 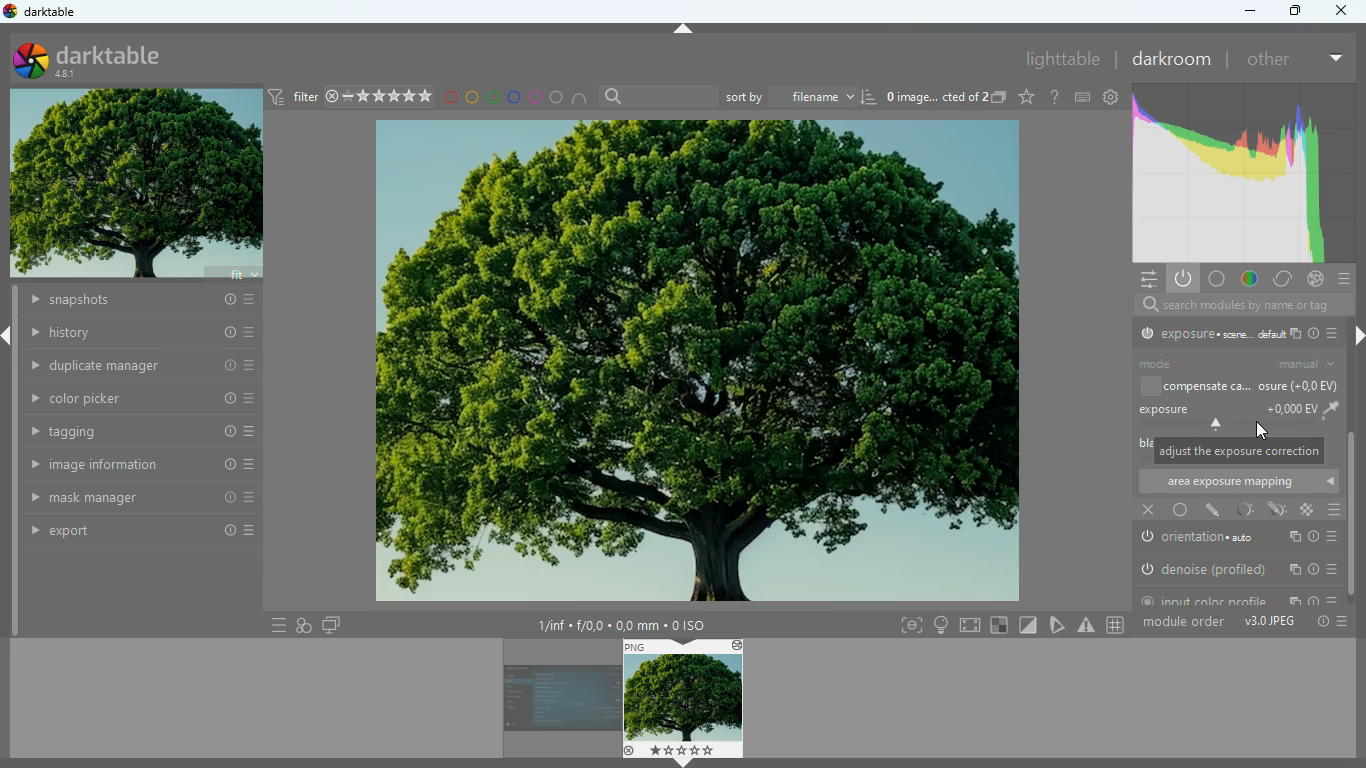 I want to click on close, so click(x=1147, y=511).